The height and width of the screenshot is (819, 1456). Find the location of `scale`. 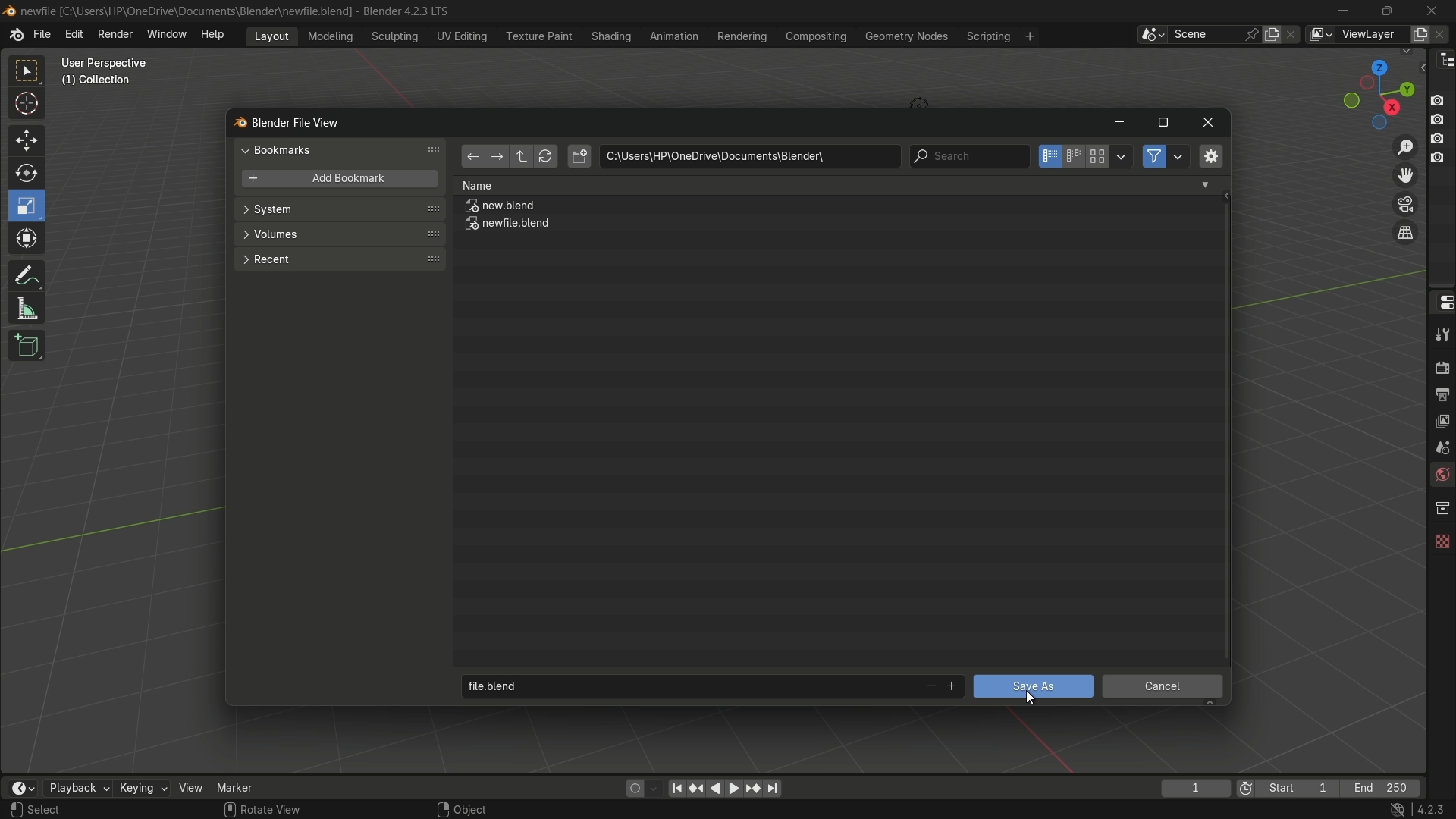

scale is located at coordinates (29, 206).